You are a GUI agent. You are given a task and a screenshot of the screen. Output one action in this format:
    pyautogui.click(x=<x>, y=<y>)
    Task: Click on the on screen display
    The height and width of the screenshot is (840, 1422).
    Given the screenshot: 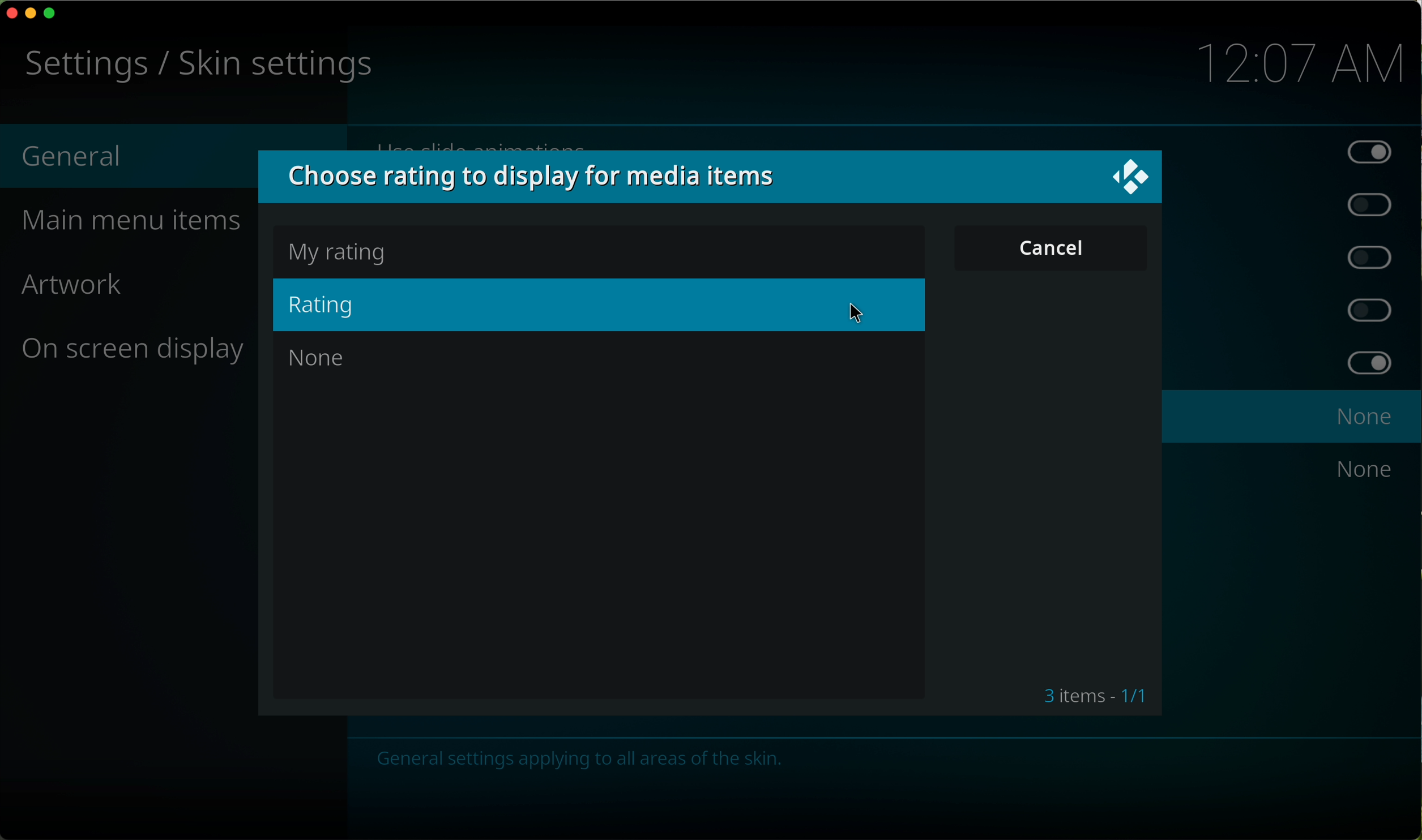 What is the action you would take?
    pyautogui.click(x=133, y=350)
    